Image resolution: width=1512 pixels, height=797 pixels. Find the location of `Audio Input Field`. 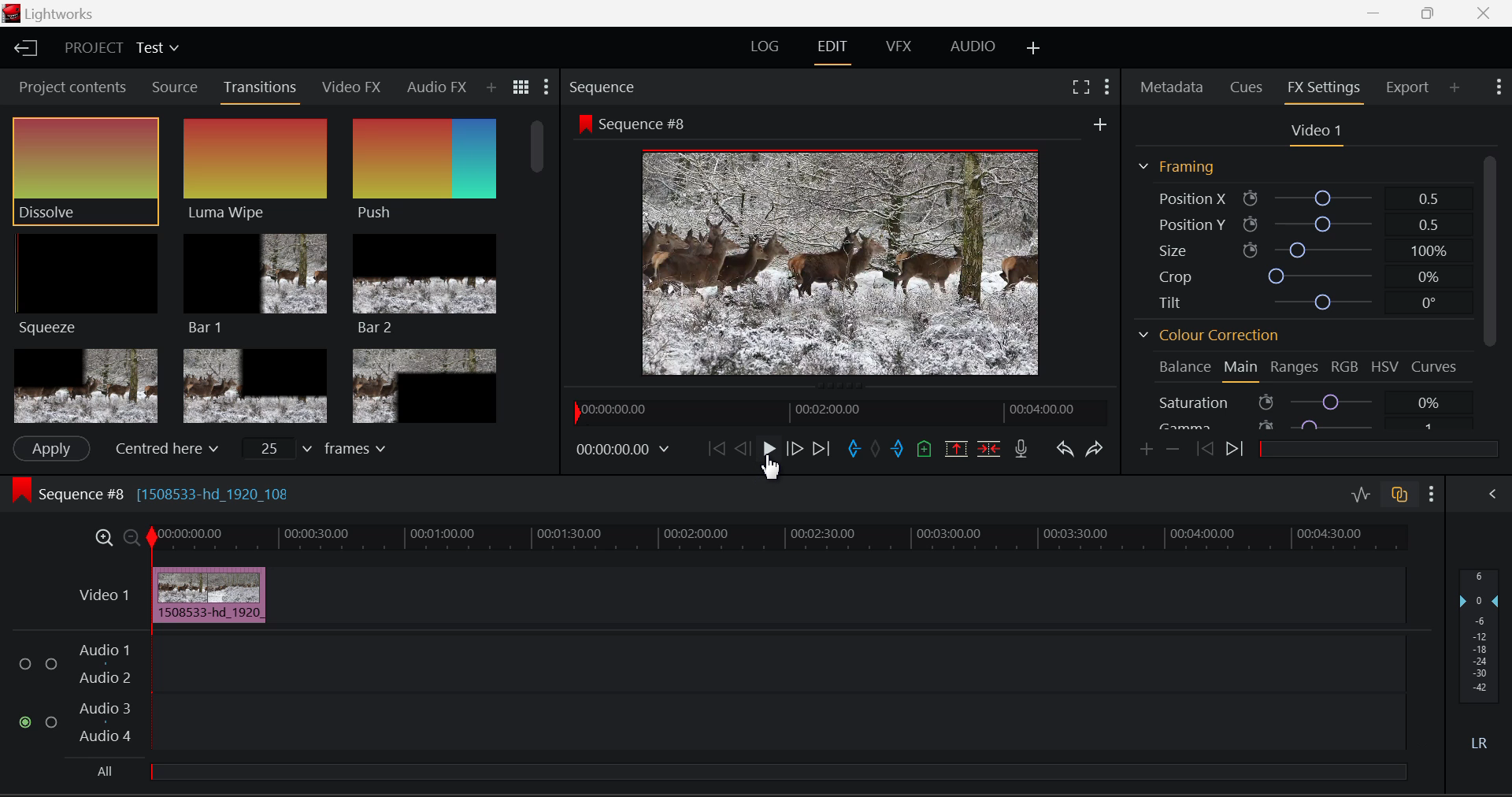

Audio Input Field is located at coordinates (776, 724).